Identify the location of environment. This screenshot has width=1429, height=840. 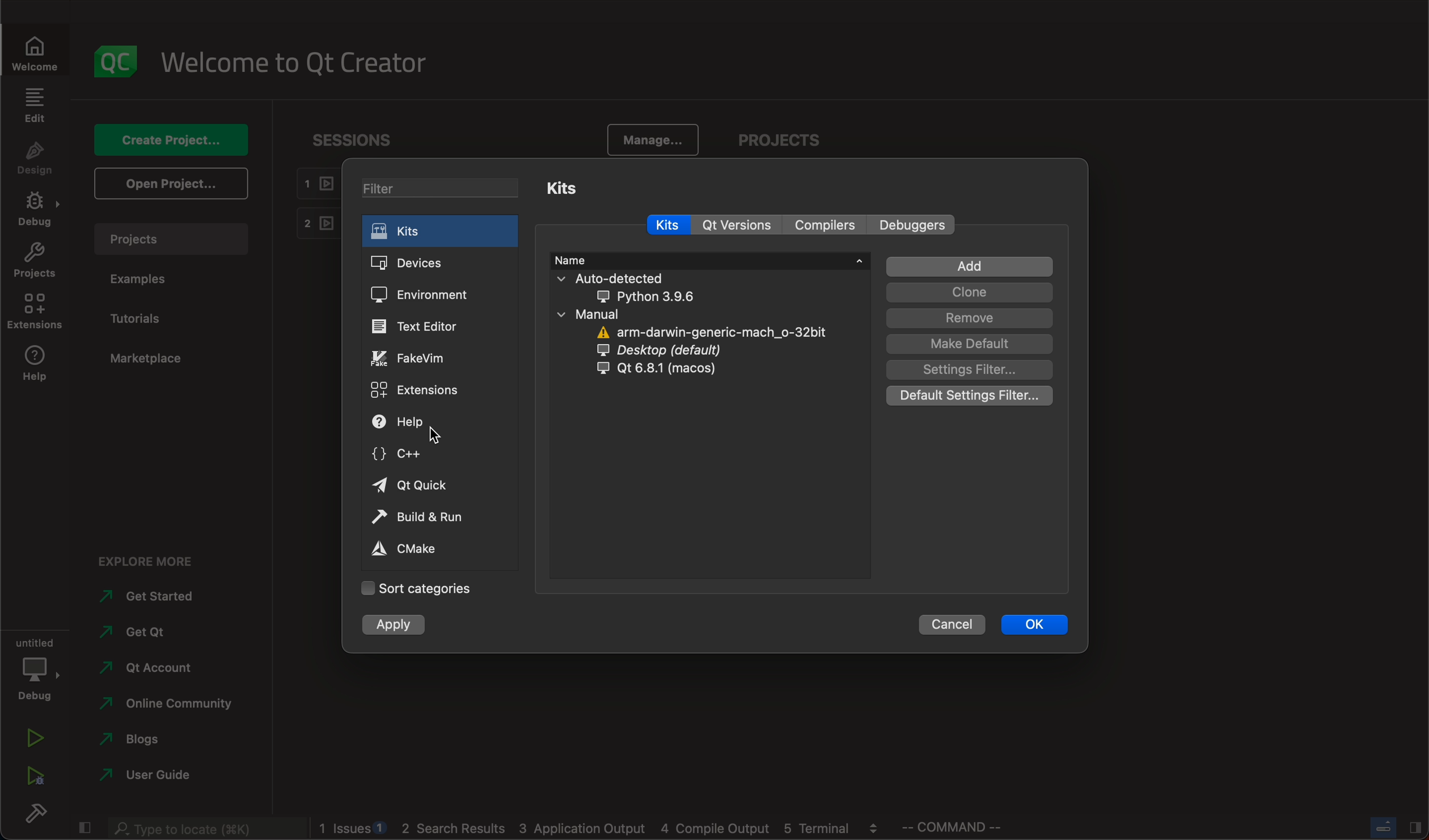
(431, 294).